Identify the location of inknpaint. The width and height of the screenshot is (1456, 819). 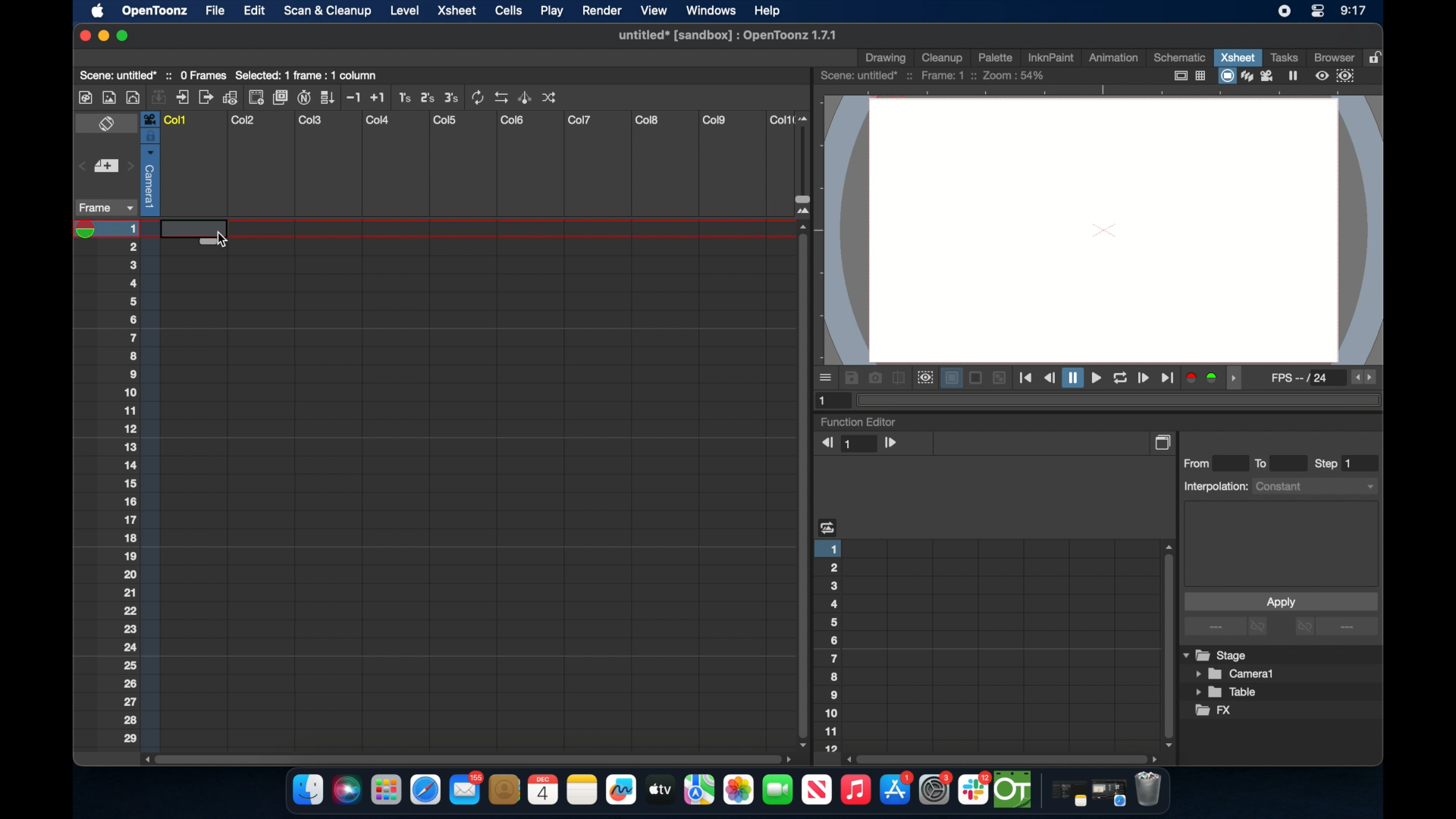
(1050, 57).